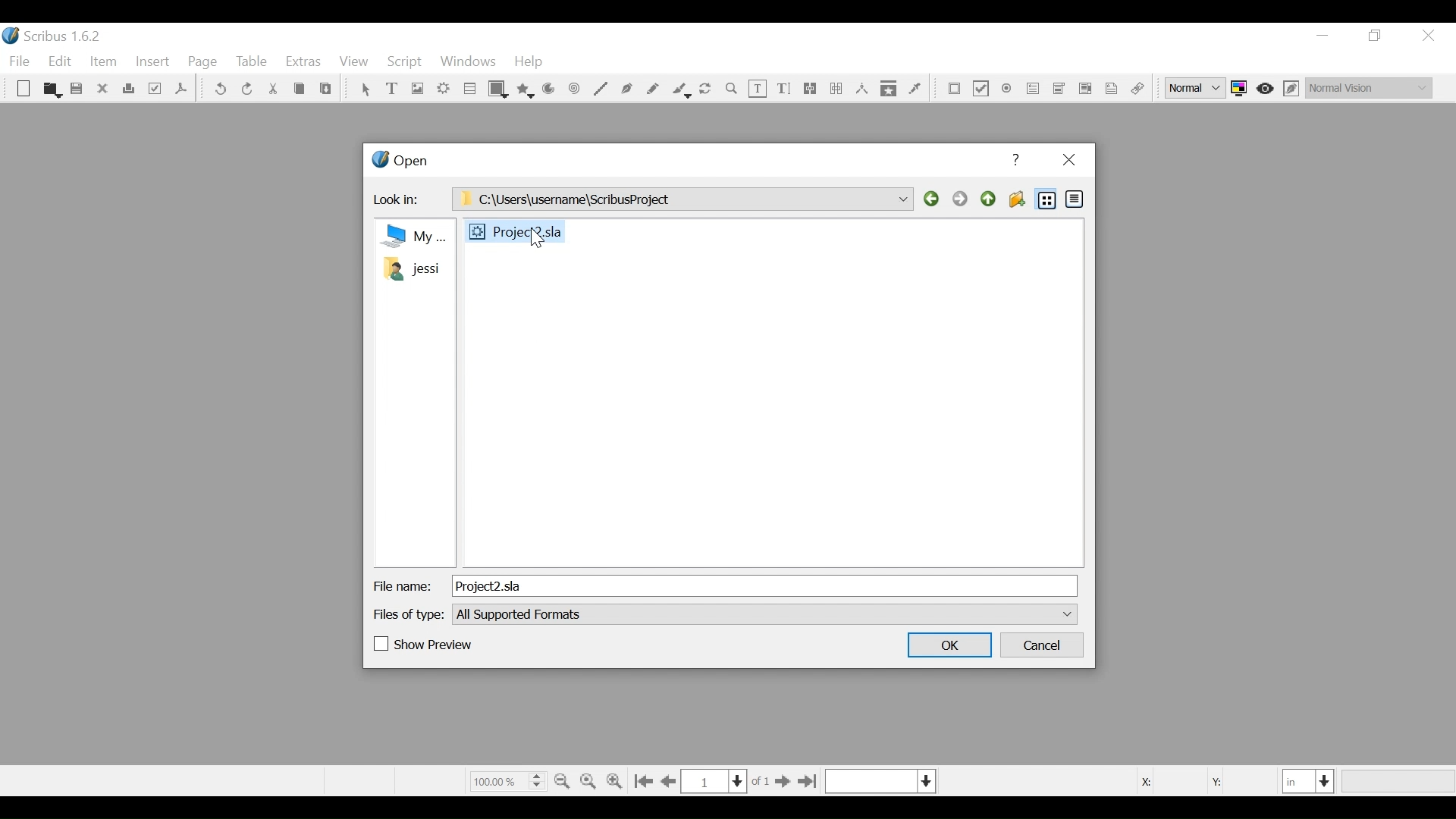 The image size is (1456, 819). Describe the element at coordinates (1047, 199) in the screenshot. I see `List View` at that location.